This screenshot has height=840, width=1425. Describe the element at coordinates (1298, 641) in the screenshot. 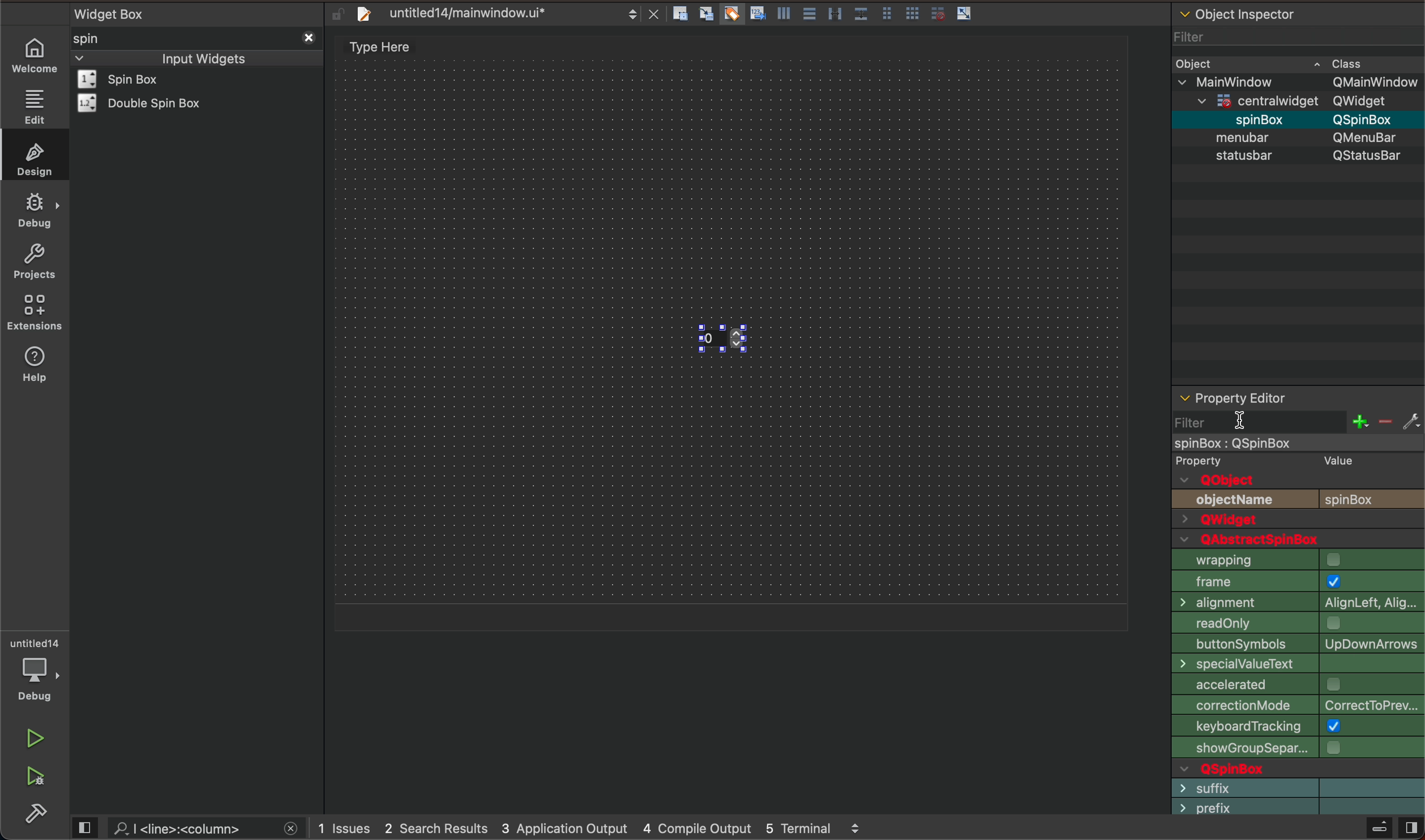

I see `tab shape` at that location.